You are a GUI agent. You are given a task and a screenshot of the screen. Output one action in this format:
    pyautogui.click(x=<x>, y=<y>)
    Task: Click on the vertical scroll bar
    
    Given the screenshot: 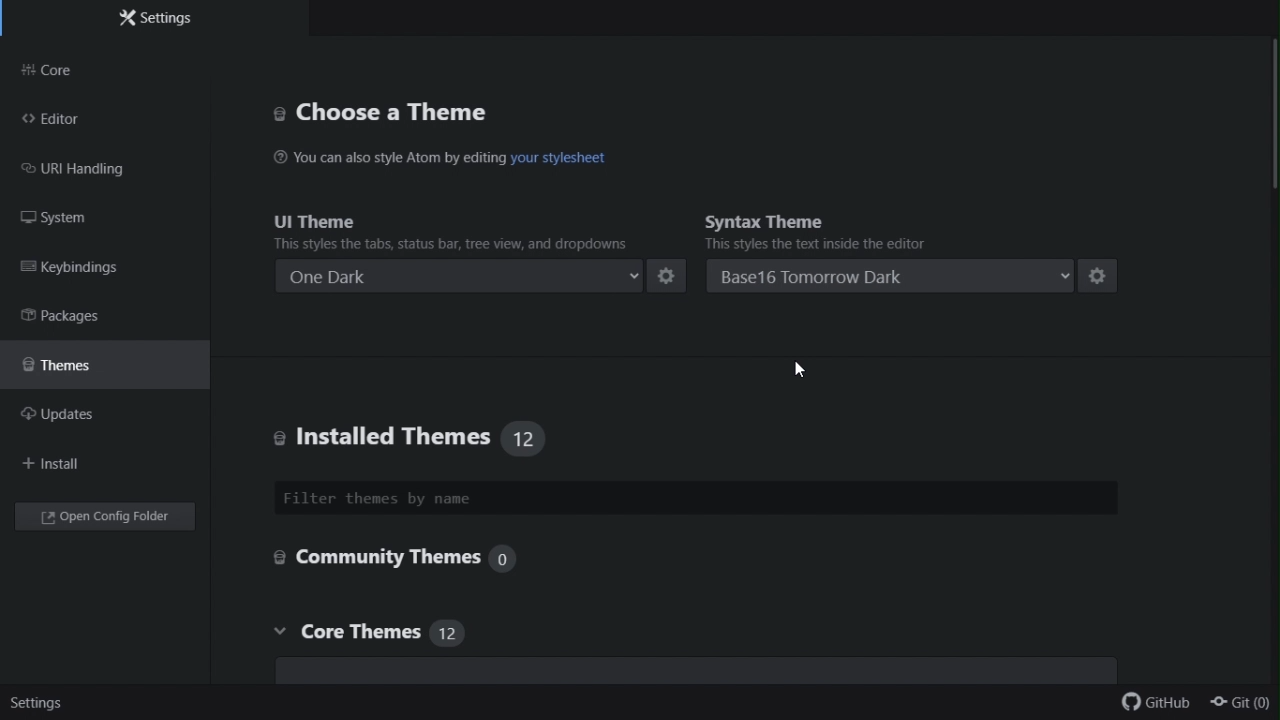 What is the action you would take?
    pyautogui.click(x=1272, y=110)
    